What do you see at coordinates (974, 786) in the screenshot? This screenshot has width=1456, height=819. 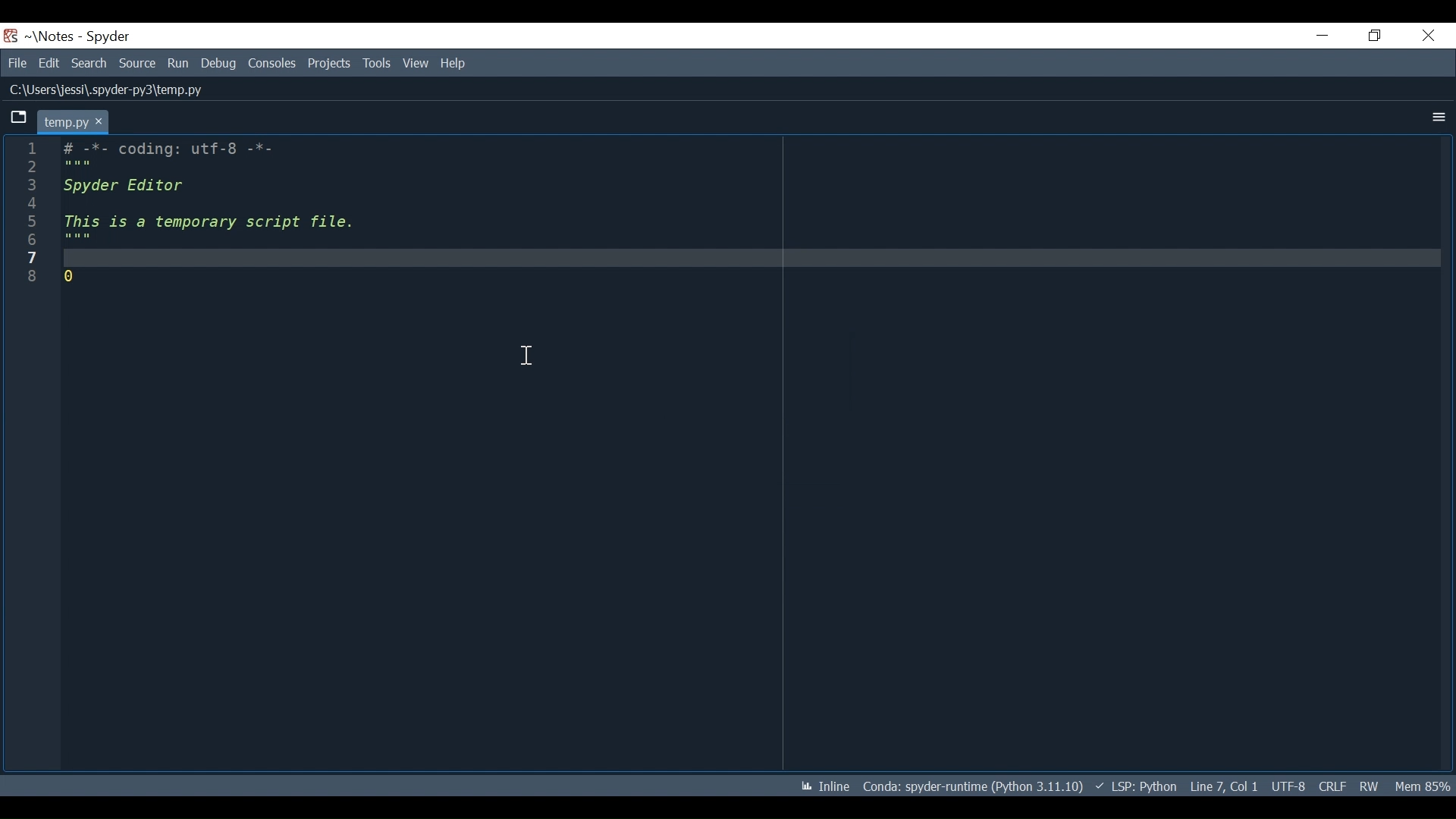 I see `Conda: spyder-runtime (Python 3.11.10)` at bounding box center [974, 786].